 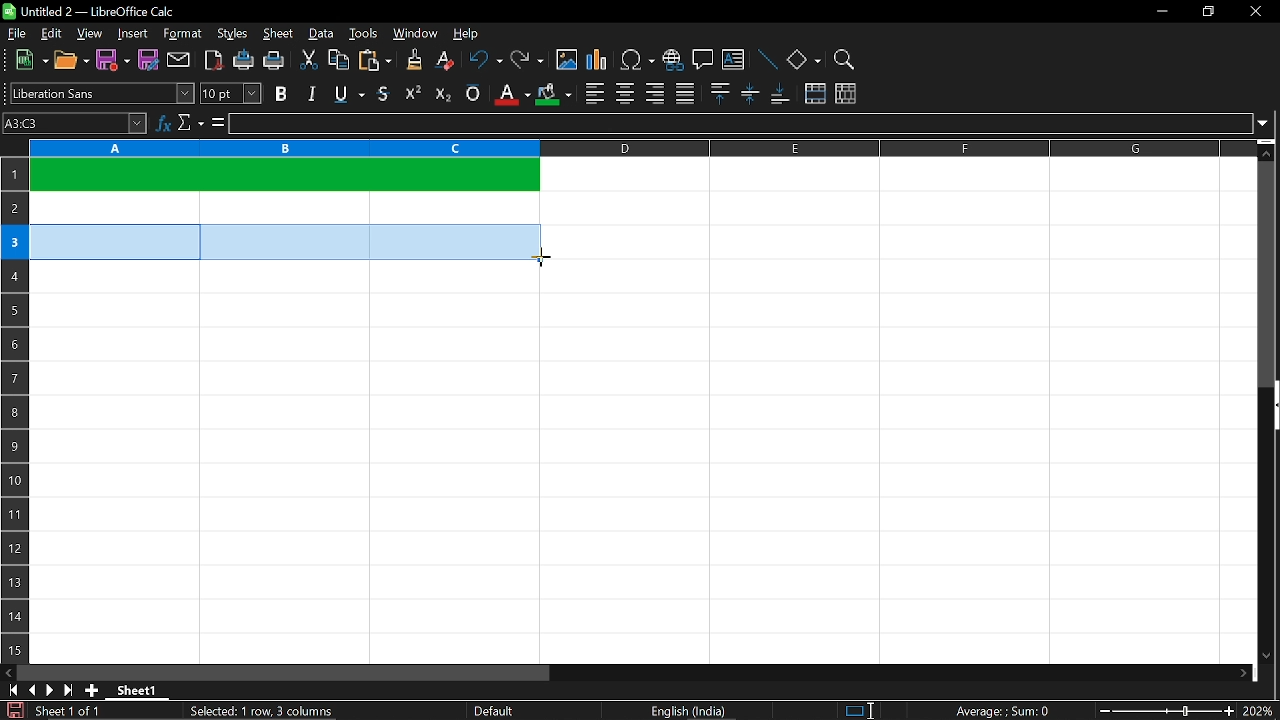 I want to click on current zoom, so click(x=1260, y=712).